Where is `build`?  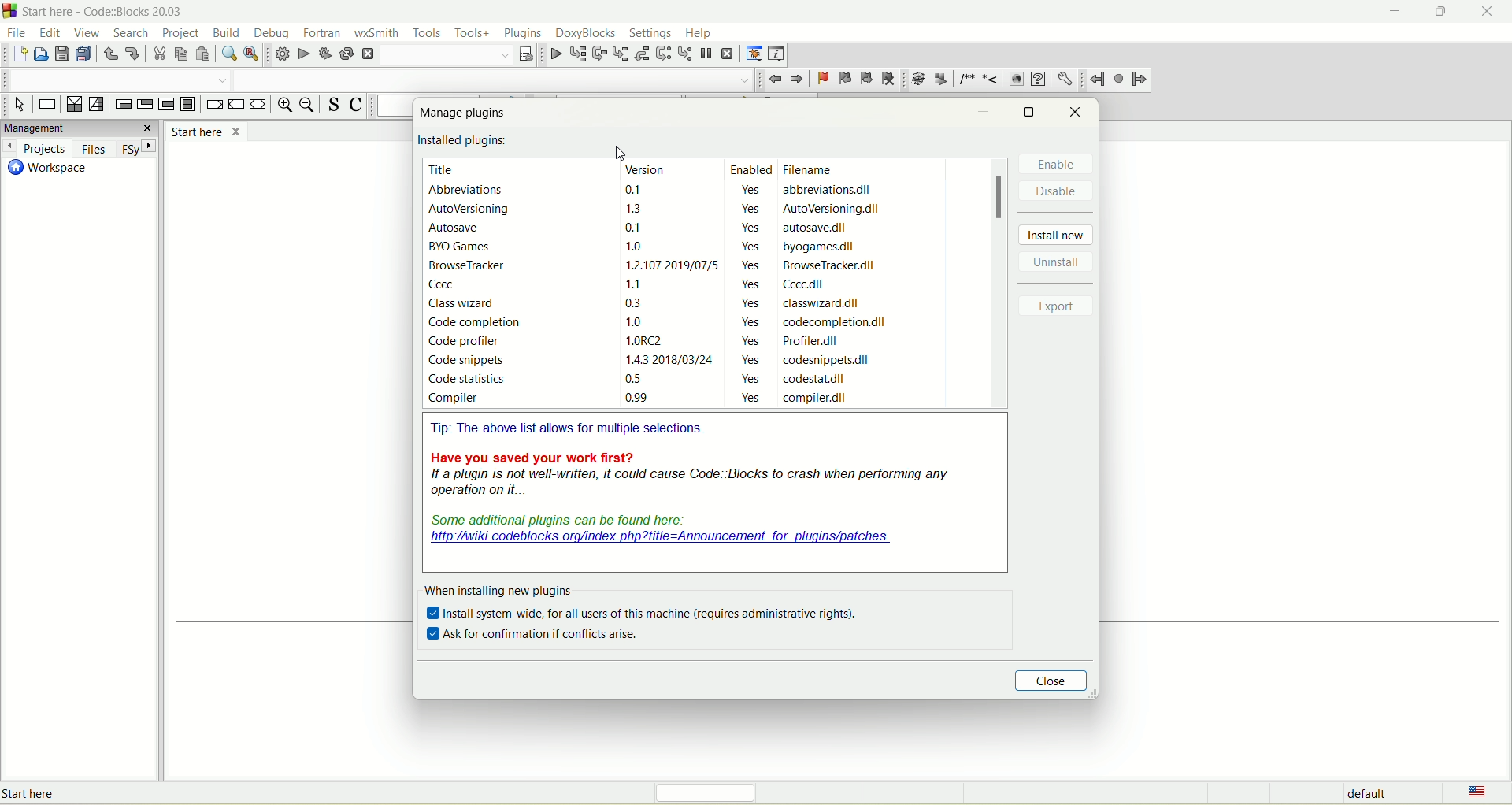 build is located at coordinates (225, 31).